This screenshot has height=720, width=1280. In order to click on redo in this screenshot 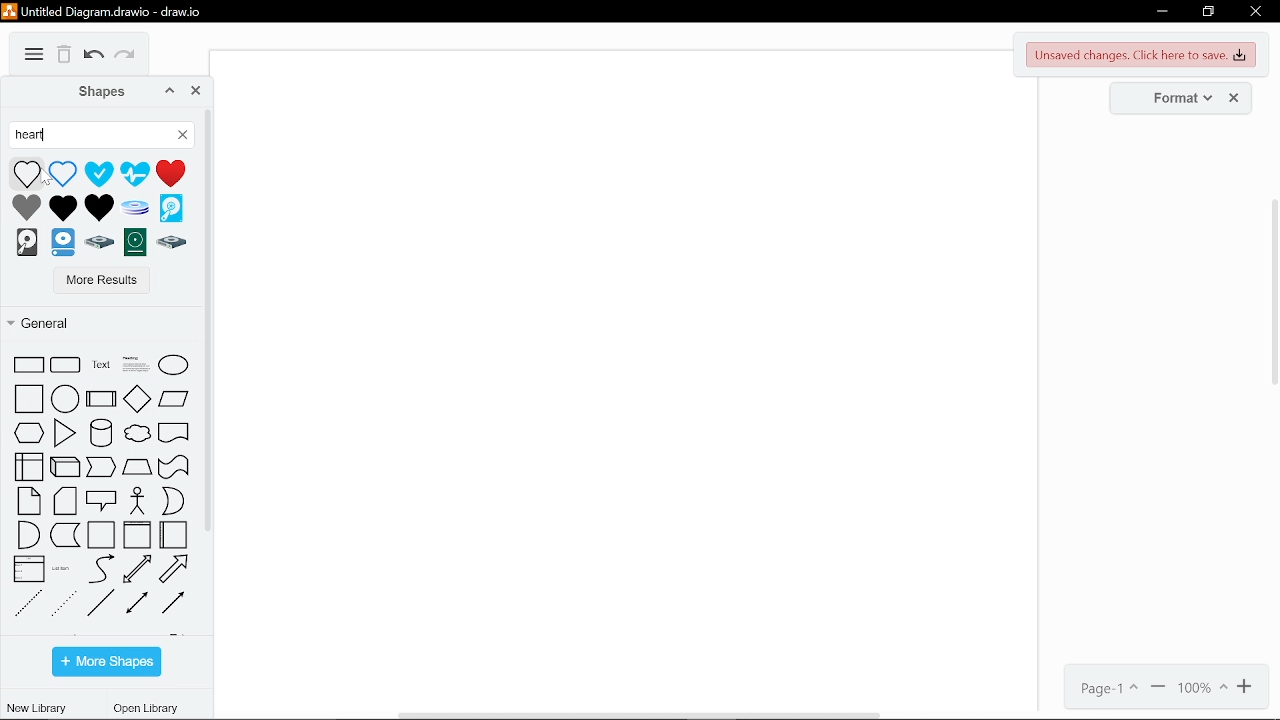, I will do `click(128, 58)`.